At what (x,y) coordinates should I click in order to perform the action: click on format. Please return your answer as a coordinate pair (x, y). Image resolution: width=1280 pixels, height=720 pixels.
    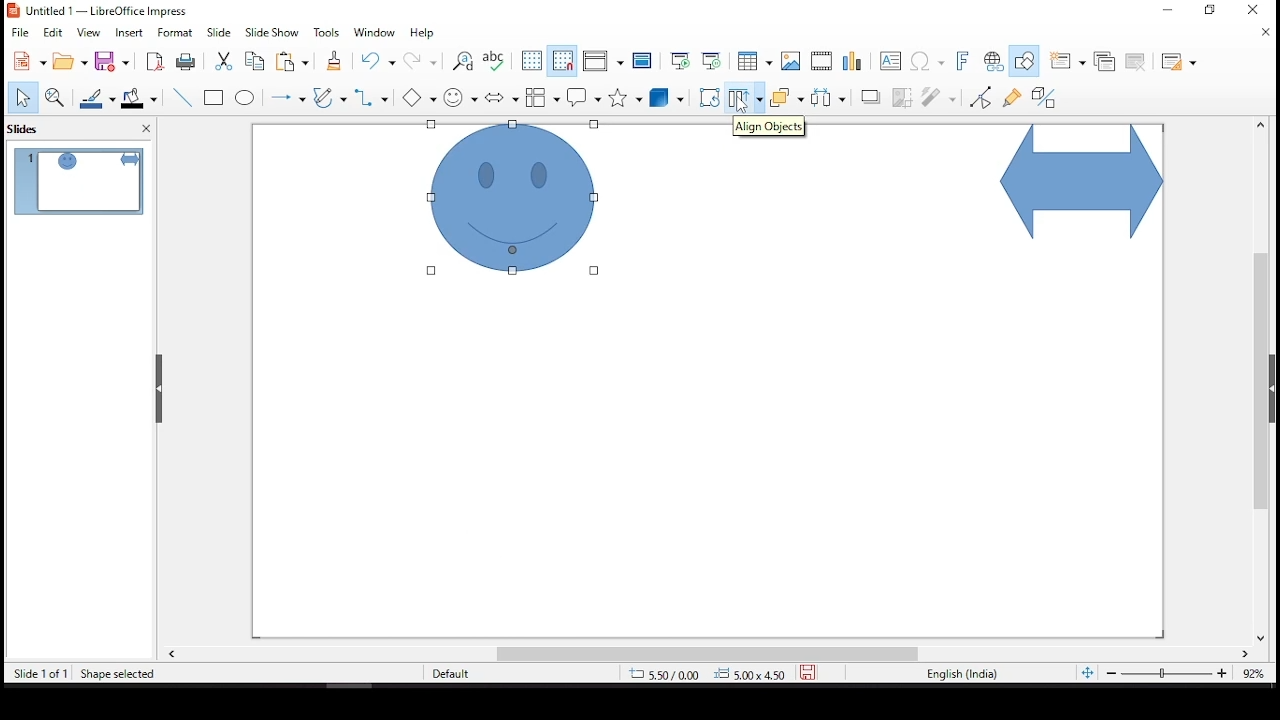
    Looking at the image, I should click on (176, 32).